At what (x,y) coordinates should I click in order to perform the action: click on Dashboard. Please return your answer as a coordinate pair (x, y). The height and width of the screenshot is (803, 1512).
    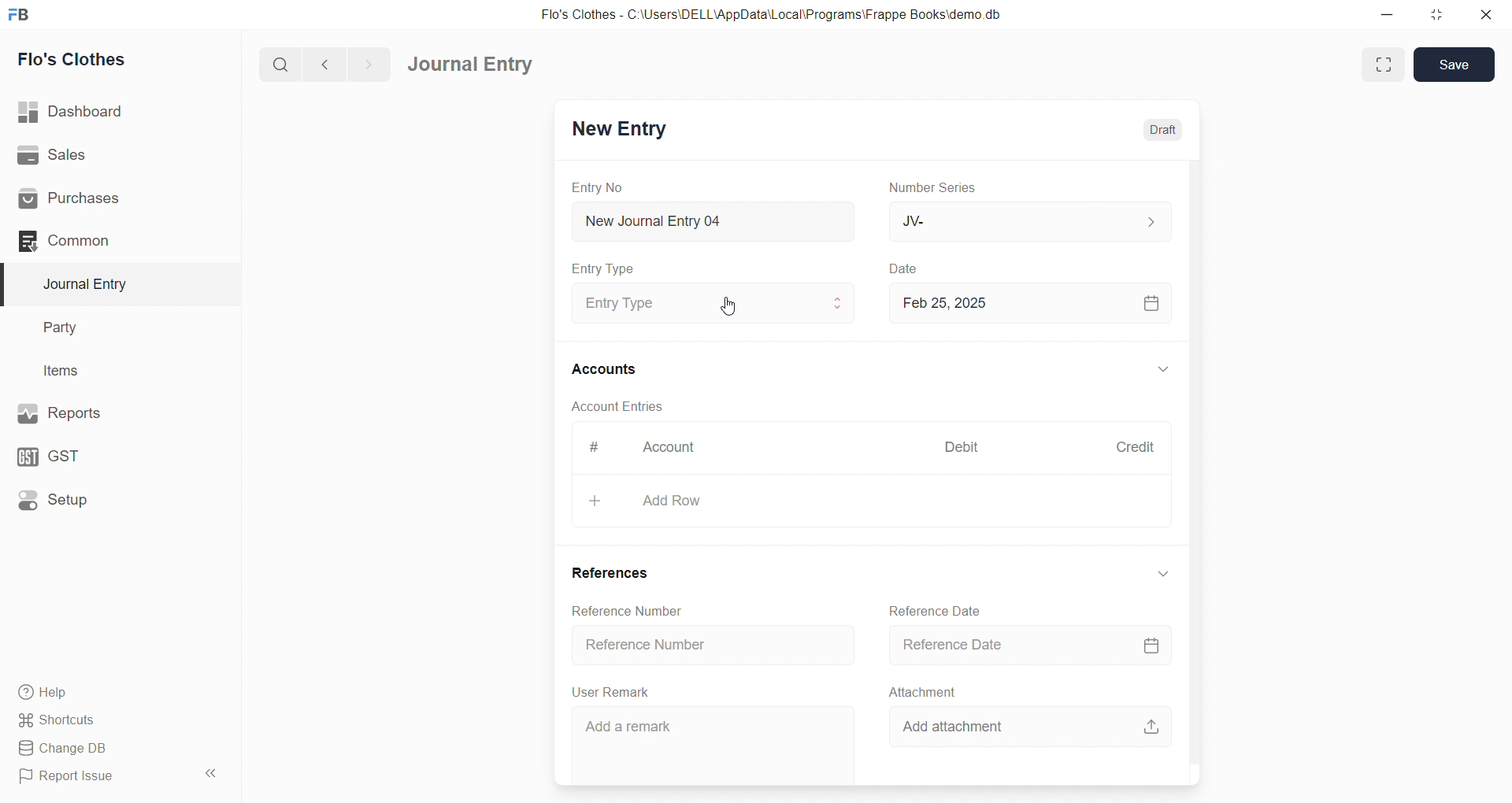
    Looking at the image, I should click on (116, 112).